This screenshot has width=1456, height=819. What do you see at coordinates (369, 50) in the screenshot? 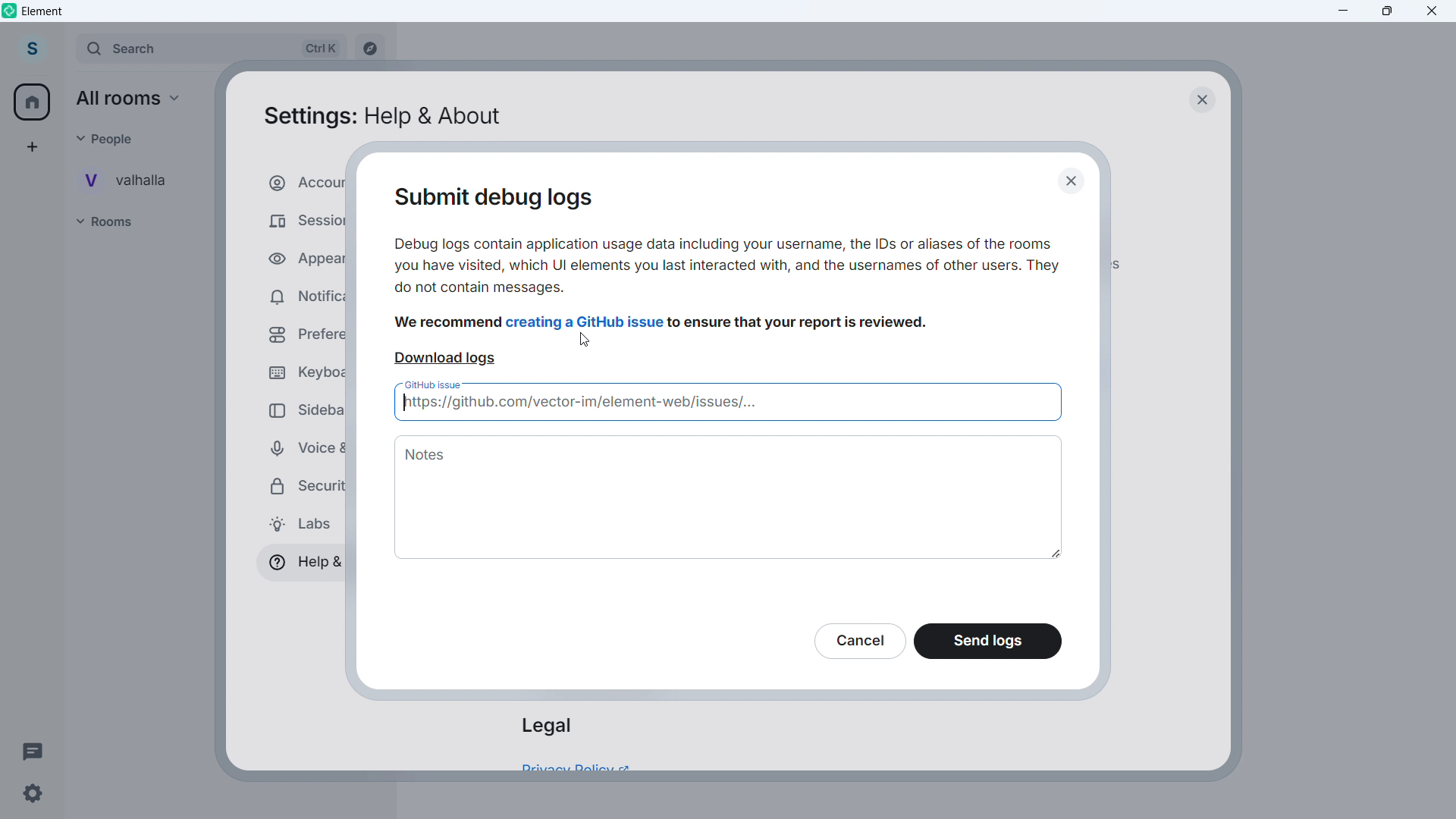
I see `Explore rooms ` at bounding box center [369, 50].